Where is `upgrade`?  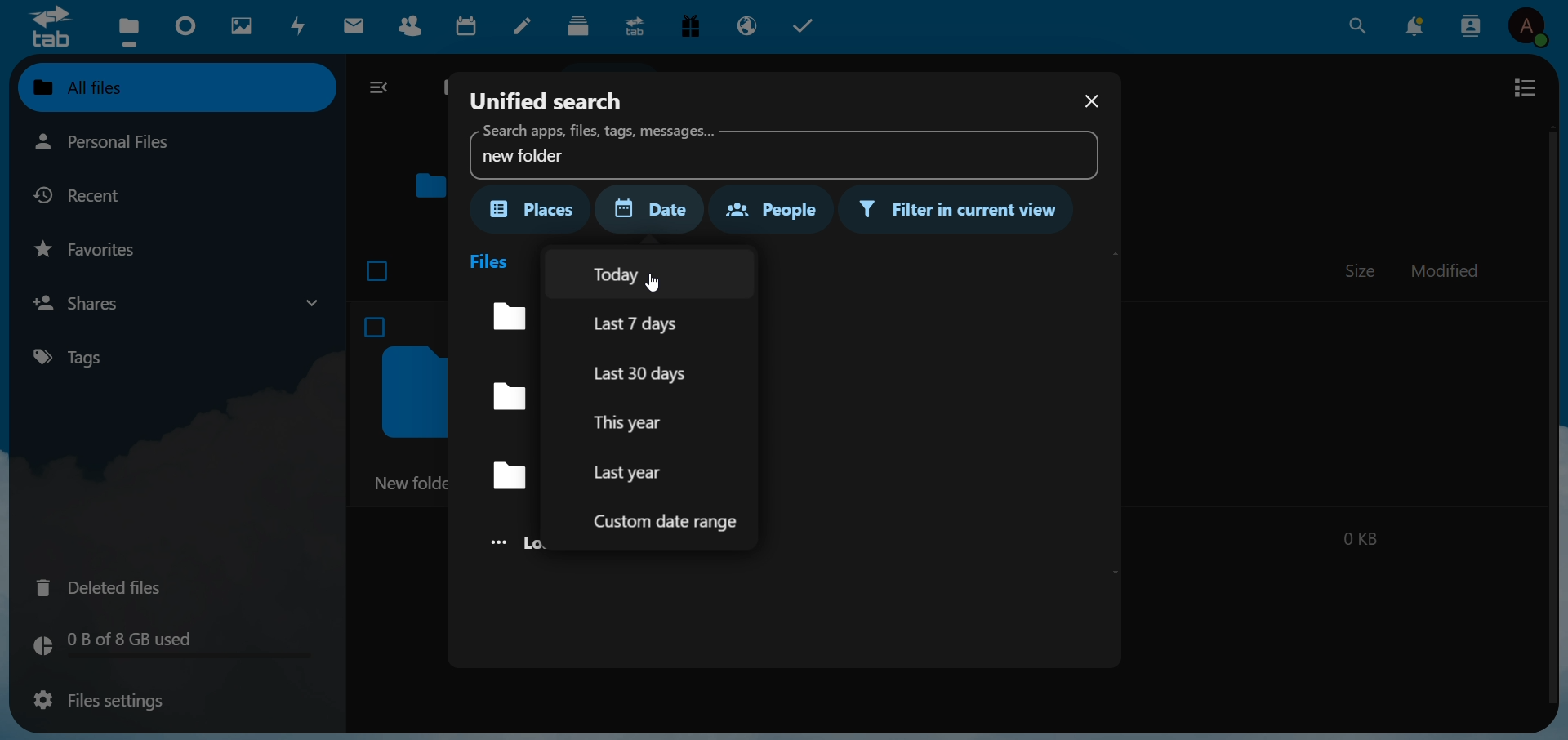 upgrade is located at coordinates (637, 25).